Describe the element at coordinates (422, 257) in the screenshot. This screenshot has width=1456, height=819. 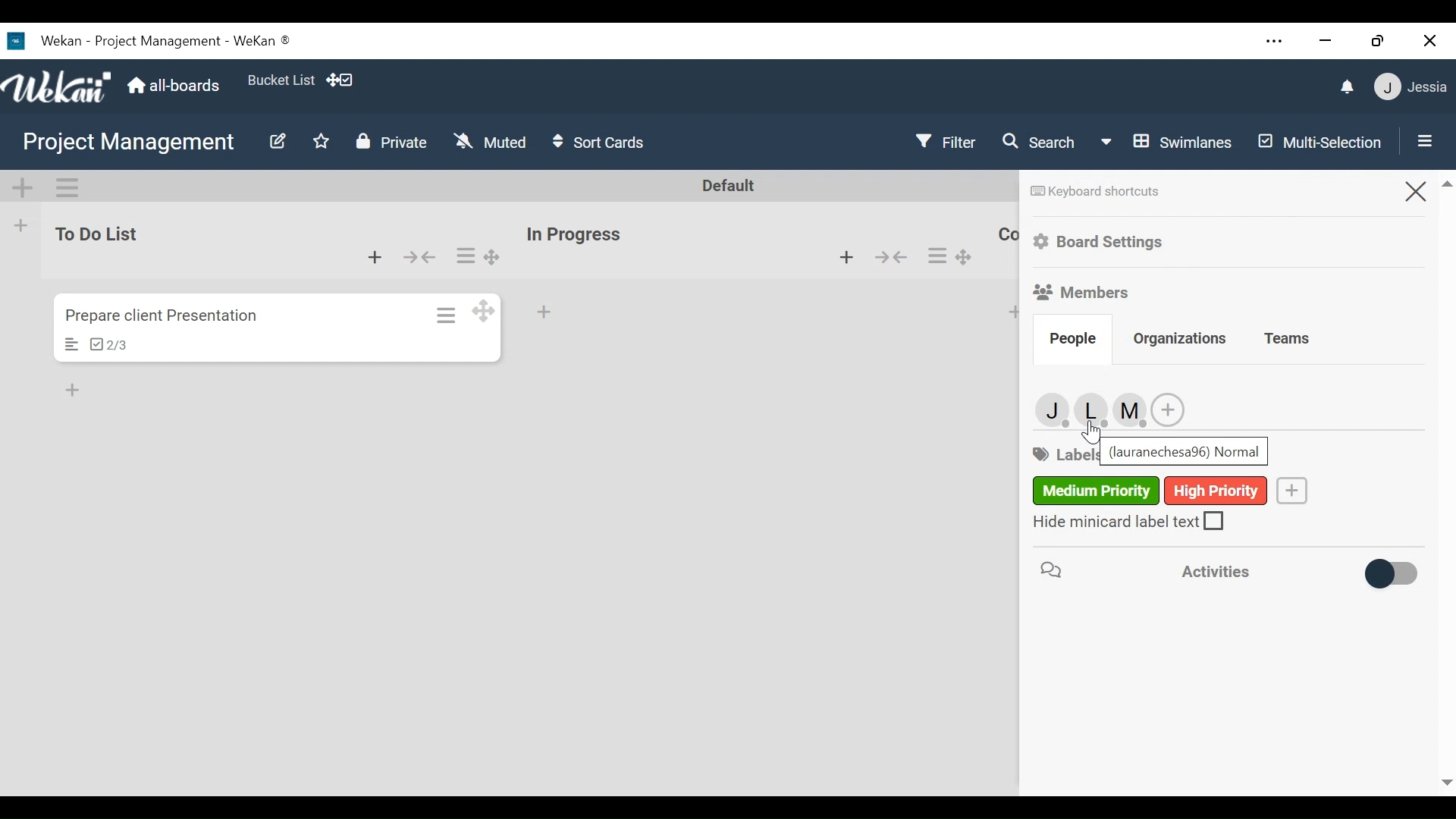
I see `Collapse` at that location.